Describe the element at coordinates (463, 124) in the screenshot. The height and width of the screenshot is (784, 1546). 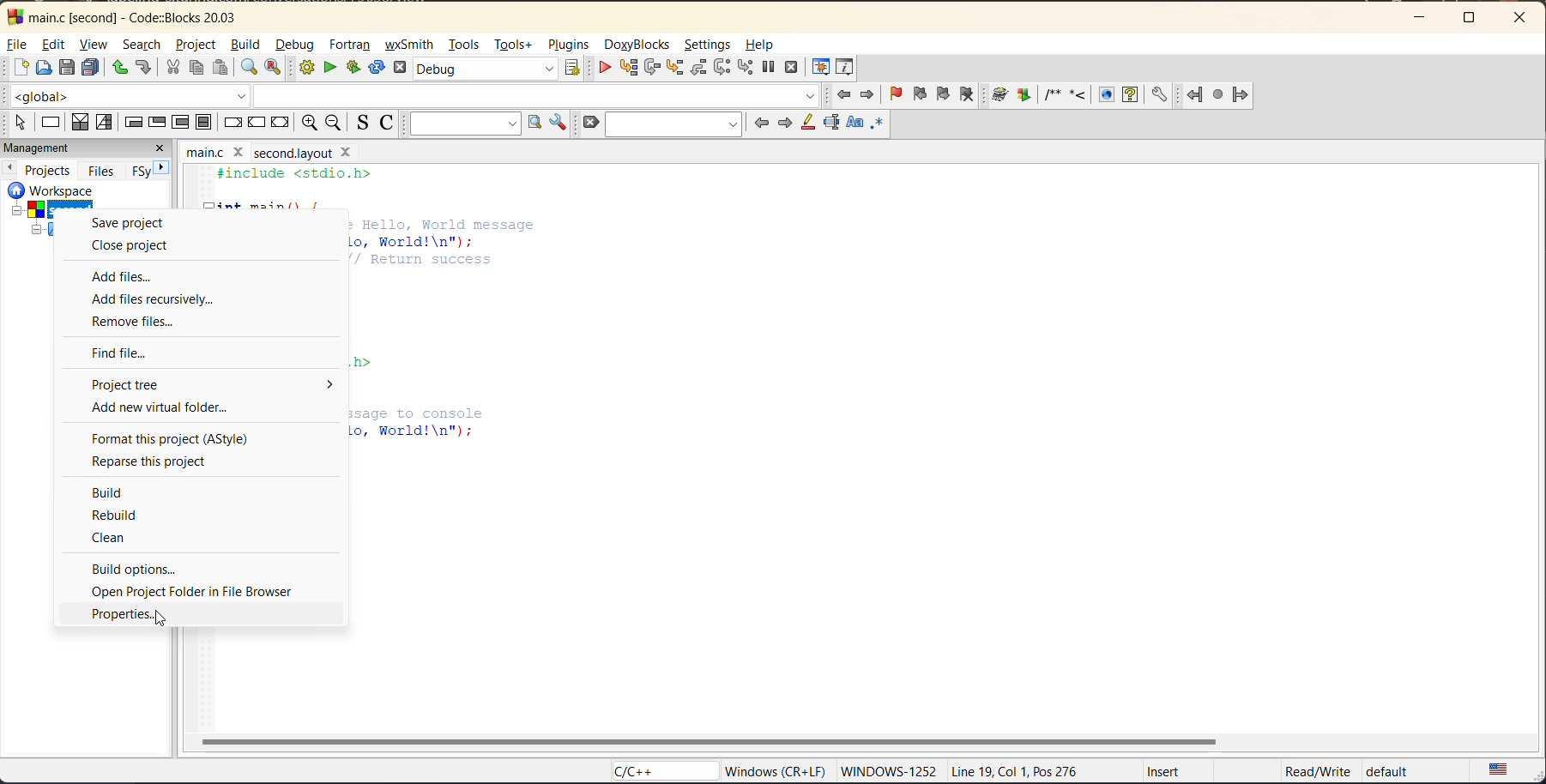
I see `text to search` at that location.